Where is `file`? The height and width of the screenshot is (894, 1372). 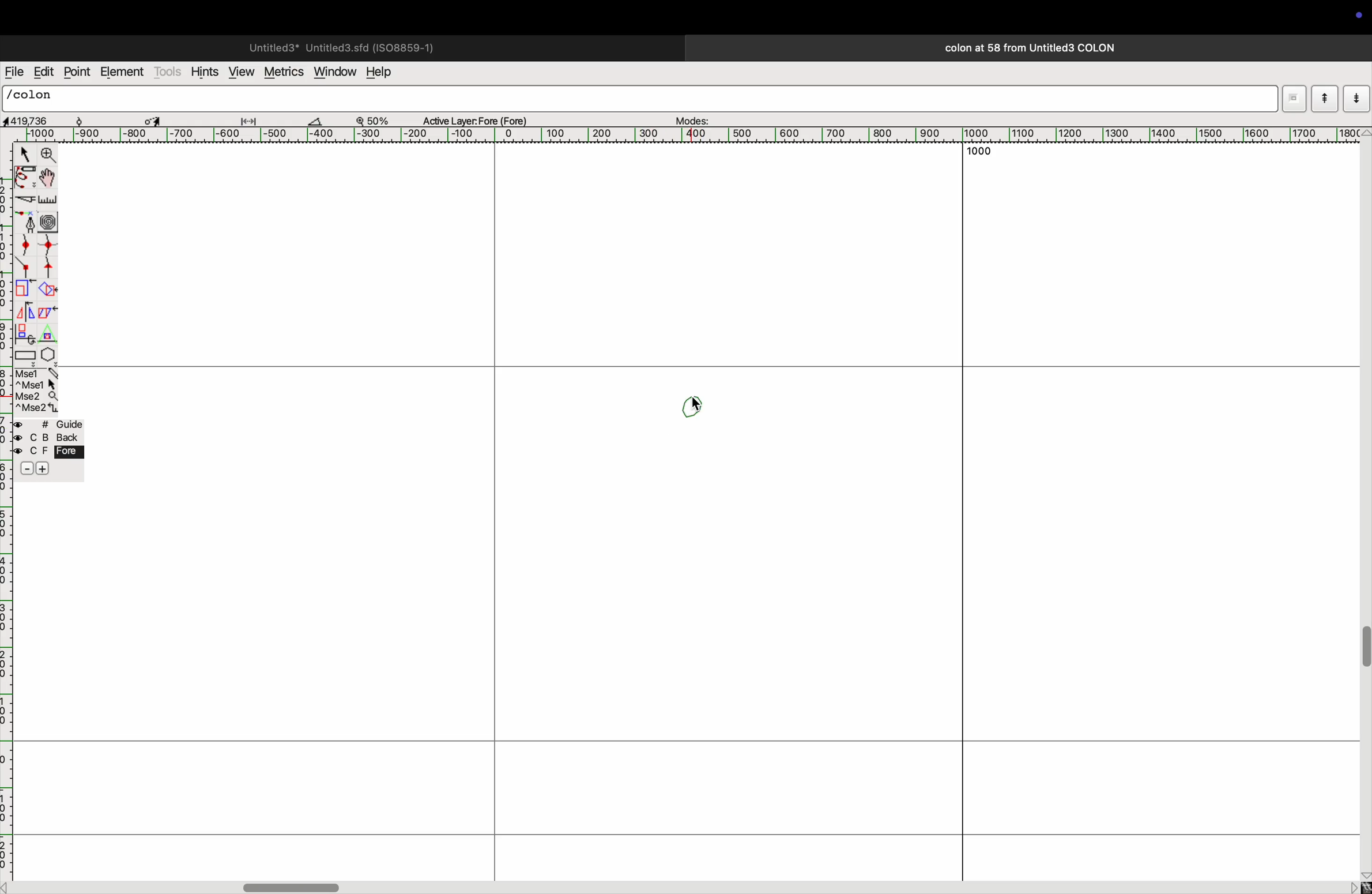
file is located at coordinates (14, 72).